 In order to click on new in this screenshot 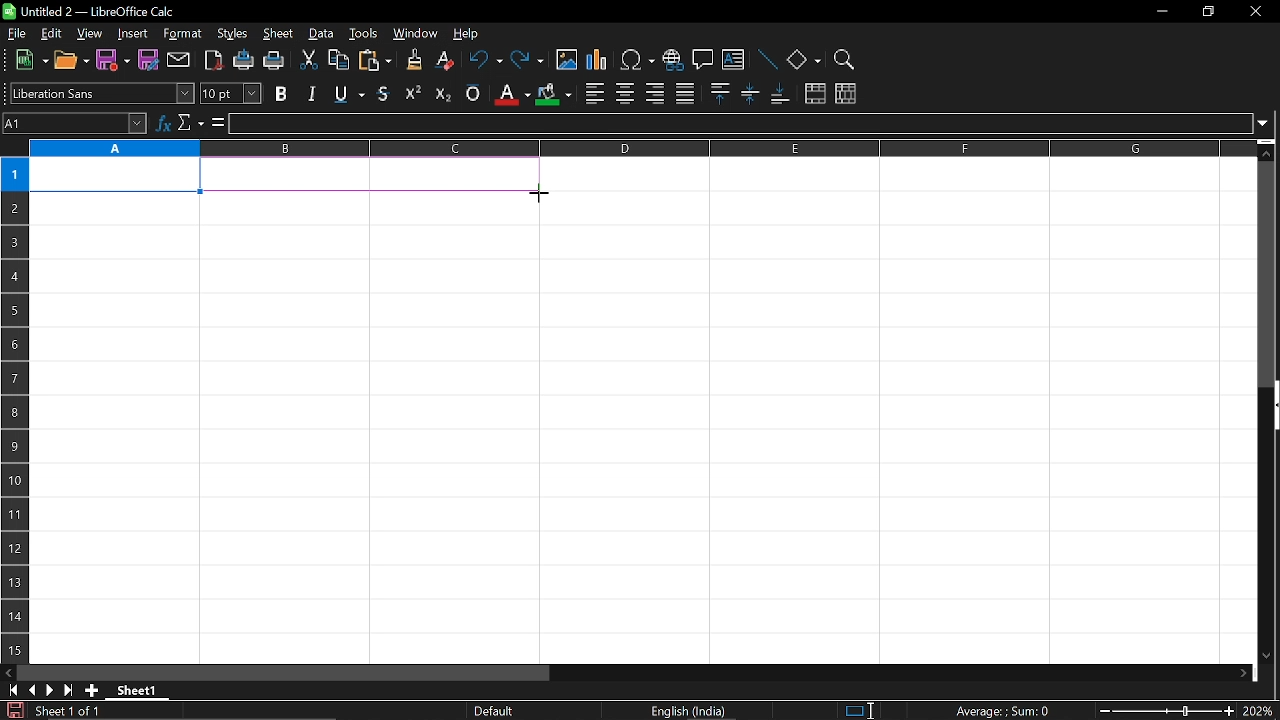, I will do `click(27, 61)`.